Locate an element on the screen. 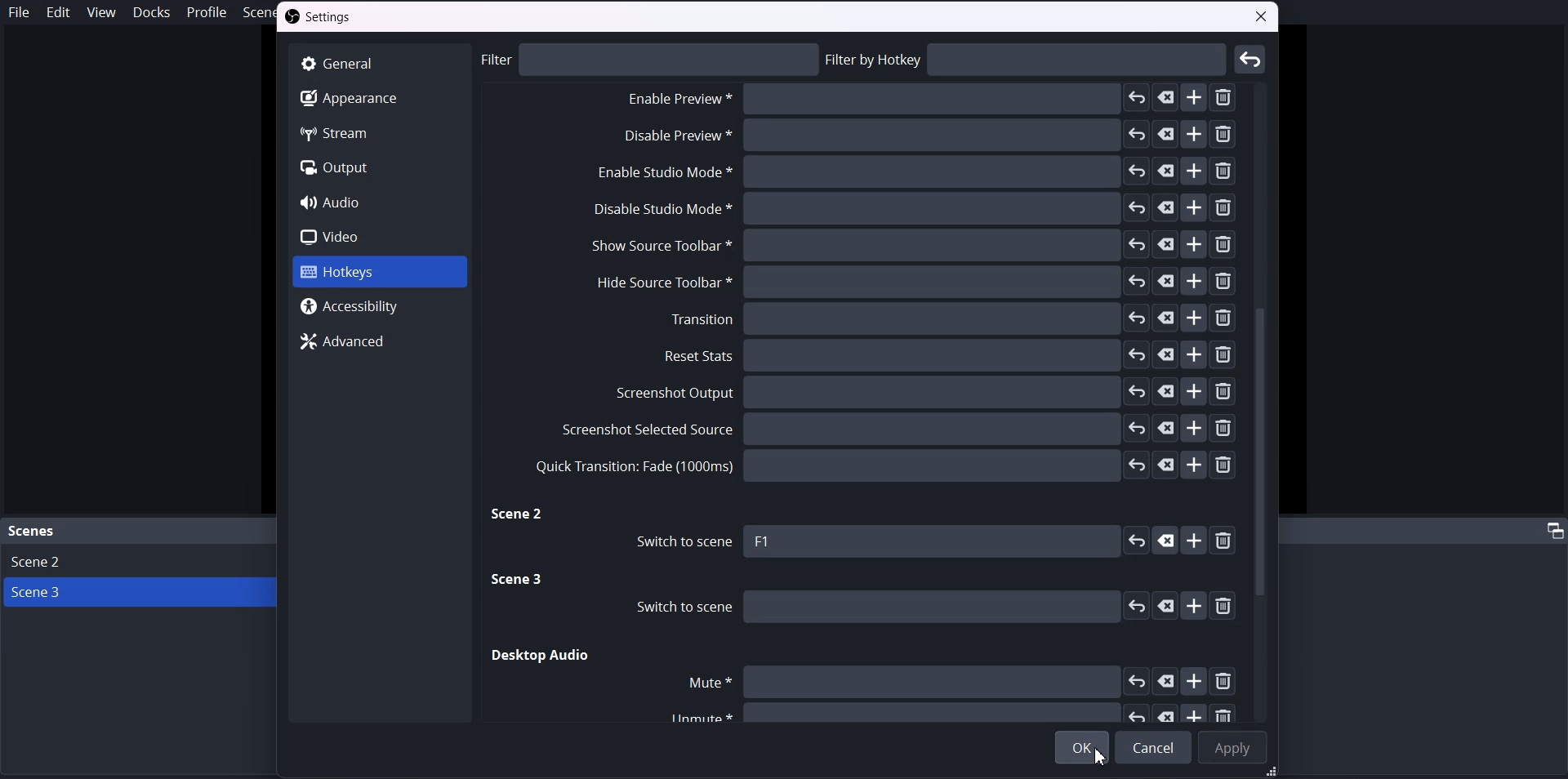 Image resolution: width=1568 pixels, height=779 pixels. Docks is located at coordinates (151, 12).